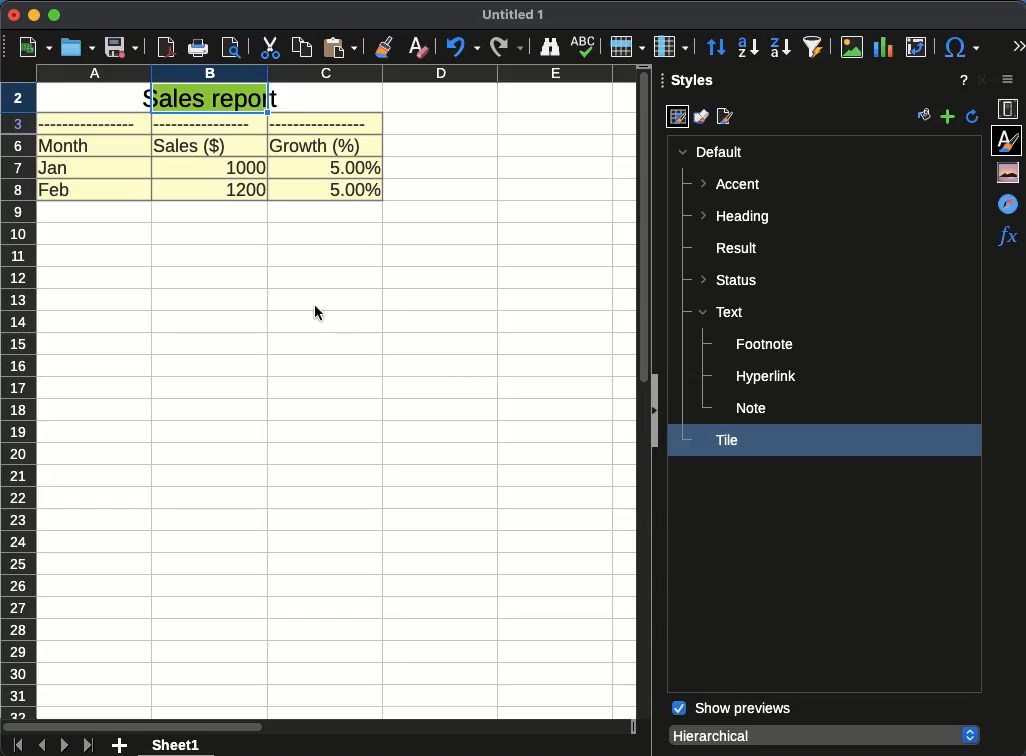 The width and height of the screenshot is (1026, 756). Describe the element at coordinates (513, 16) in the screenshot. I see `UNTITLED 1` at that location.